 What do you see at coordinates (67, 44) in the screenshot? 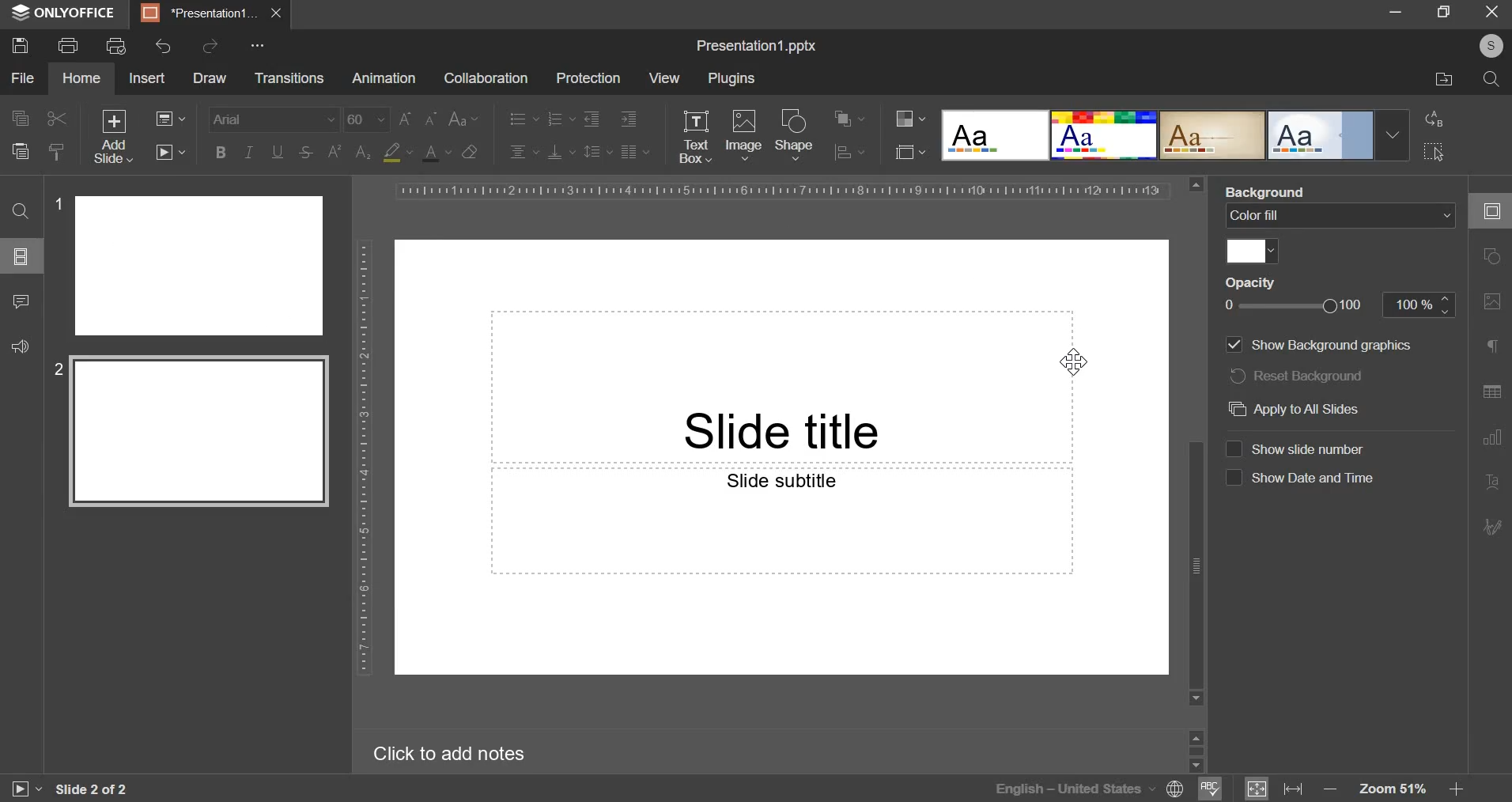
I see `print` at bounding box center [67, 44].